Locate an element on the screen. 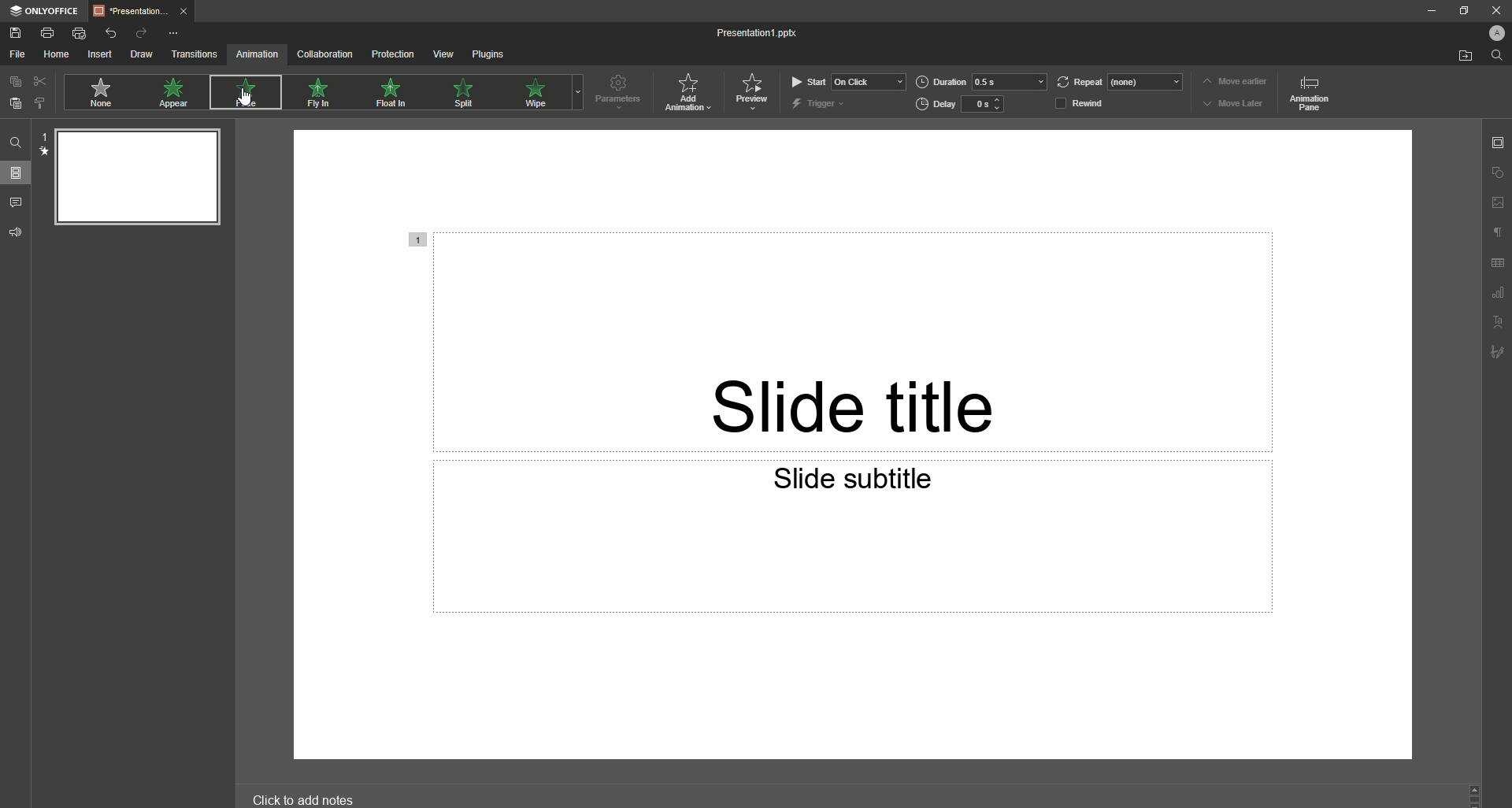 The image size is (1512, 808). Slides is located at coordinates (17, 173).